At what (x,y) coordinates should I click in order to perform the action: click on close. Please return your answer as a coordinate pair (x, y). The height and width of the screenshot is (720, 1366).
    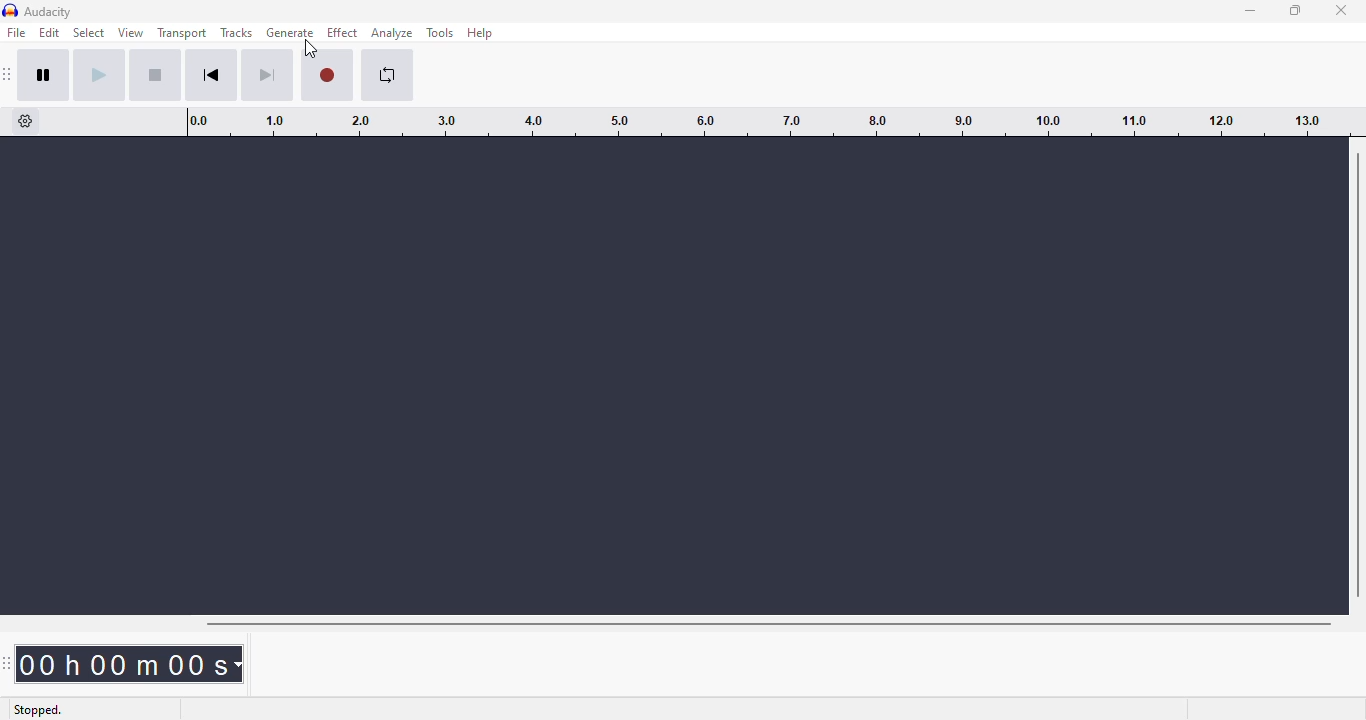
    Looking at the image, I should click on (1340, 10).